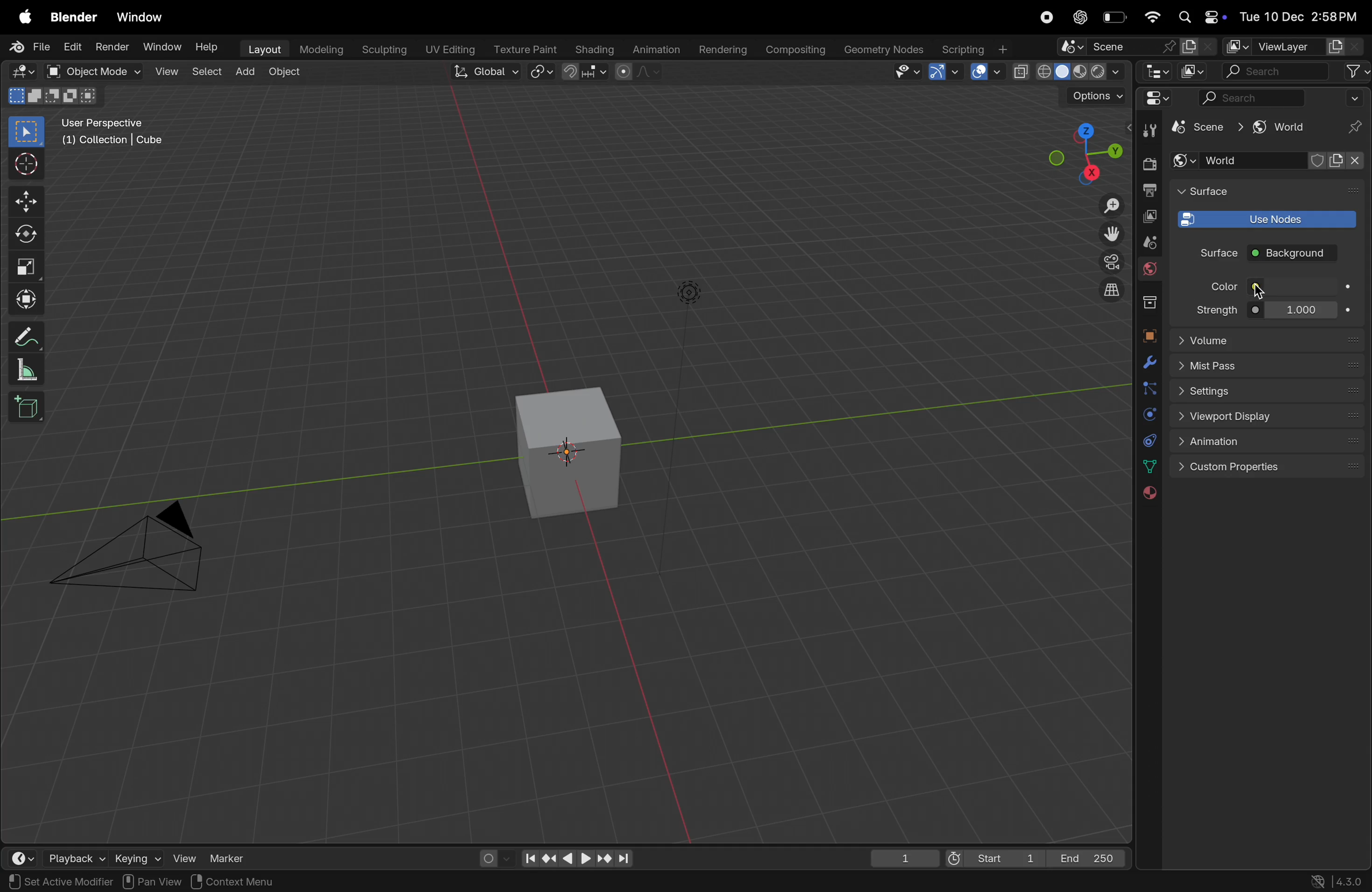  What do you see at coordinates (1299, 286) in the screenshot?
I see `color` at bounding box center [1299, 286].